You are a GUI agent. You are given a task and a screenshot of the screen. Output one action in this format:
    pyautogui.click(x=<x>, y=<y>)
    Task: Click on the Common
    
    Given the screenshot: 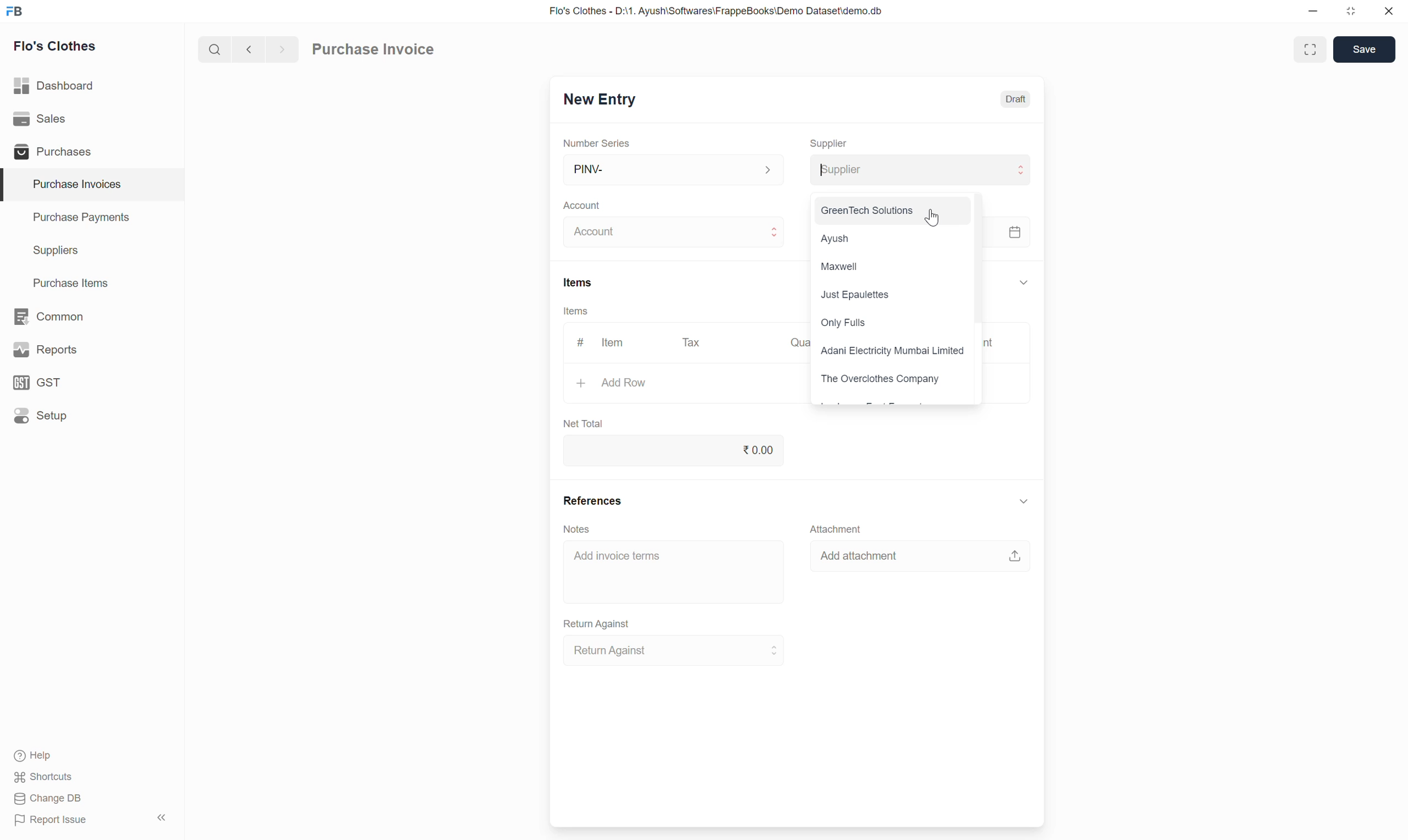 What is the action you would take?
    pyautogui.click(x=92, y=316)
    